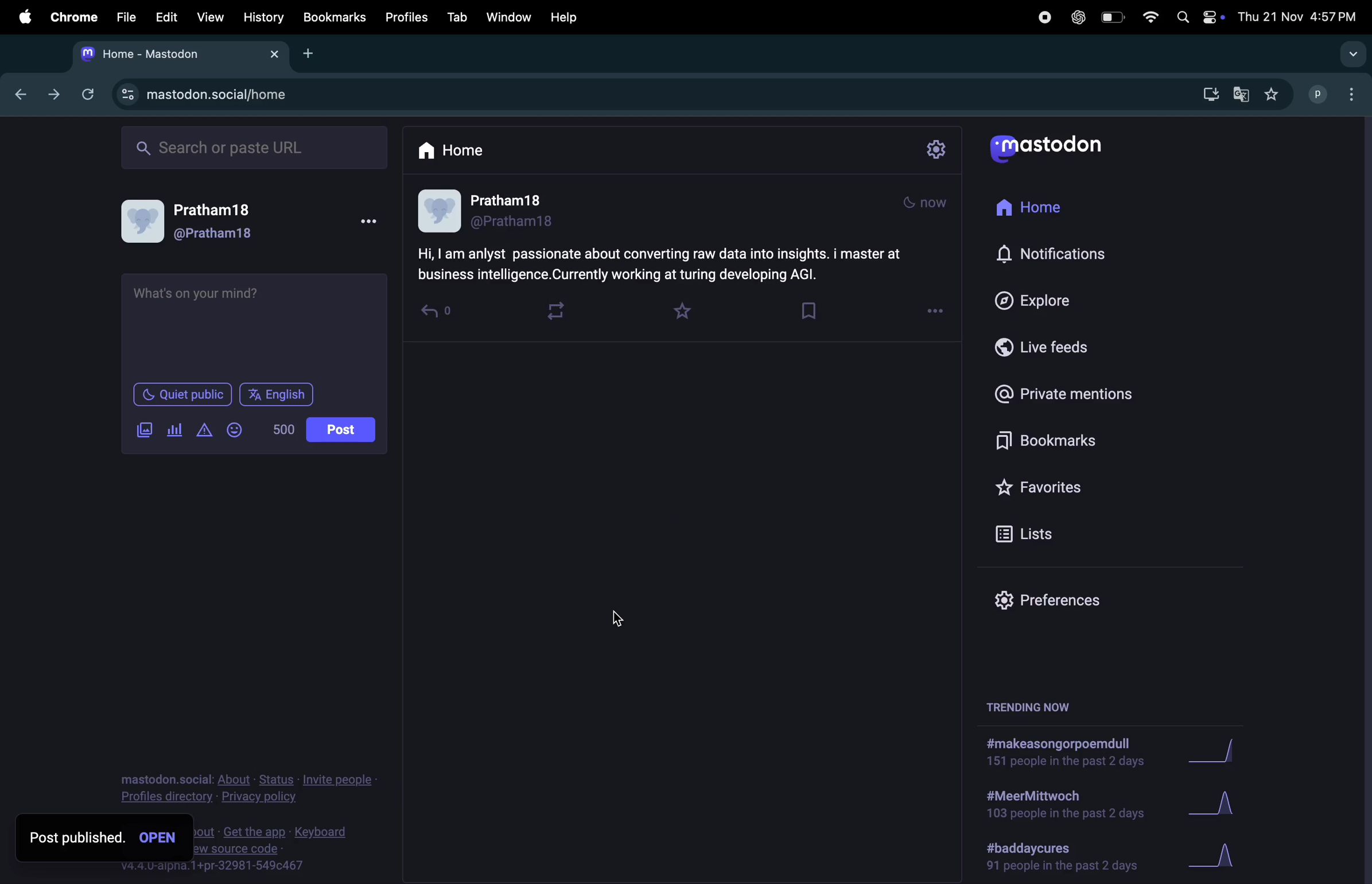  What do you see at coordinates (939, 310) in the screenshot?
I see `options` at bounding box center [939, 310].